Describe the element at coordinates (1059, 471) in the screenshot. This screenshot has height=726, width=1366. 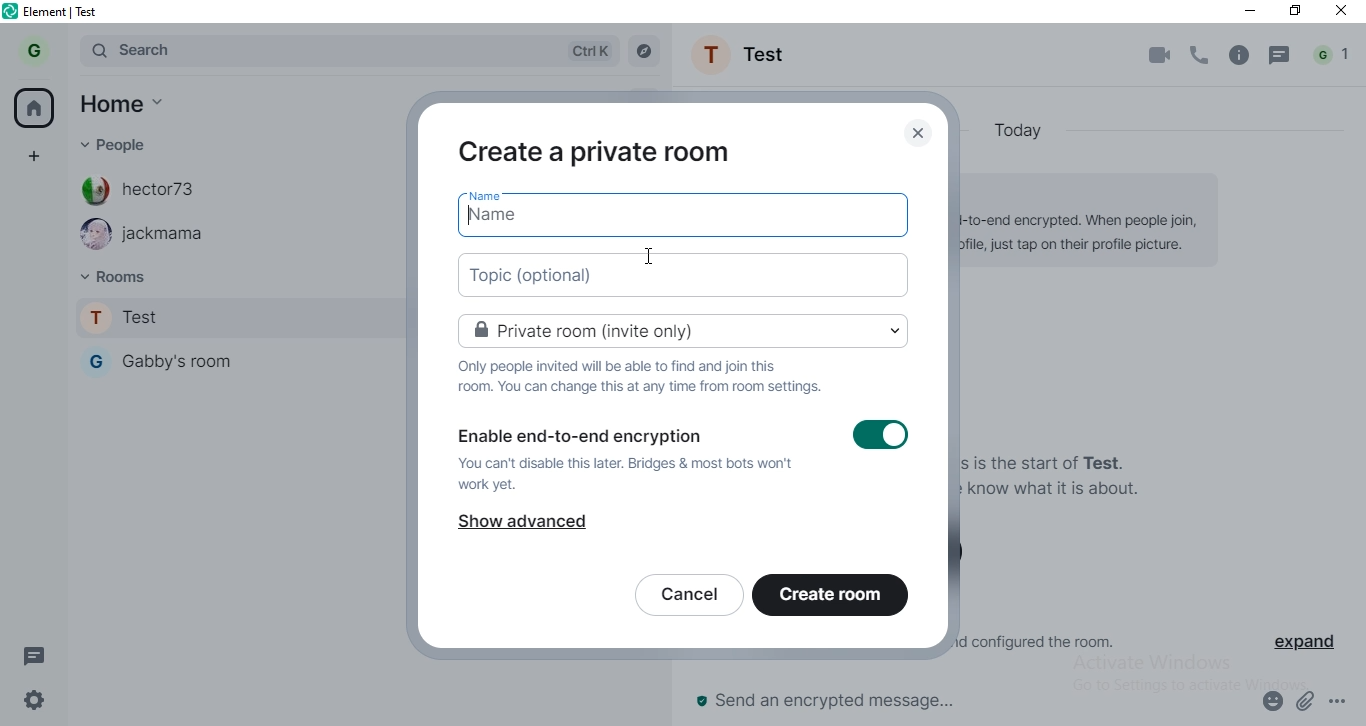
I see `You created this room. This is the start of Test.
Add a topic to help people know what it is about.` at that location.